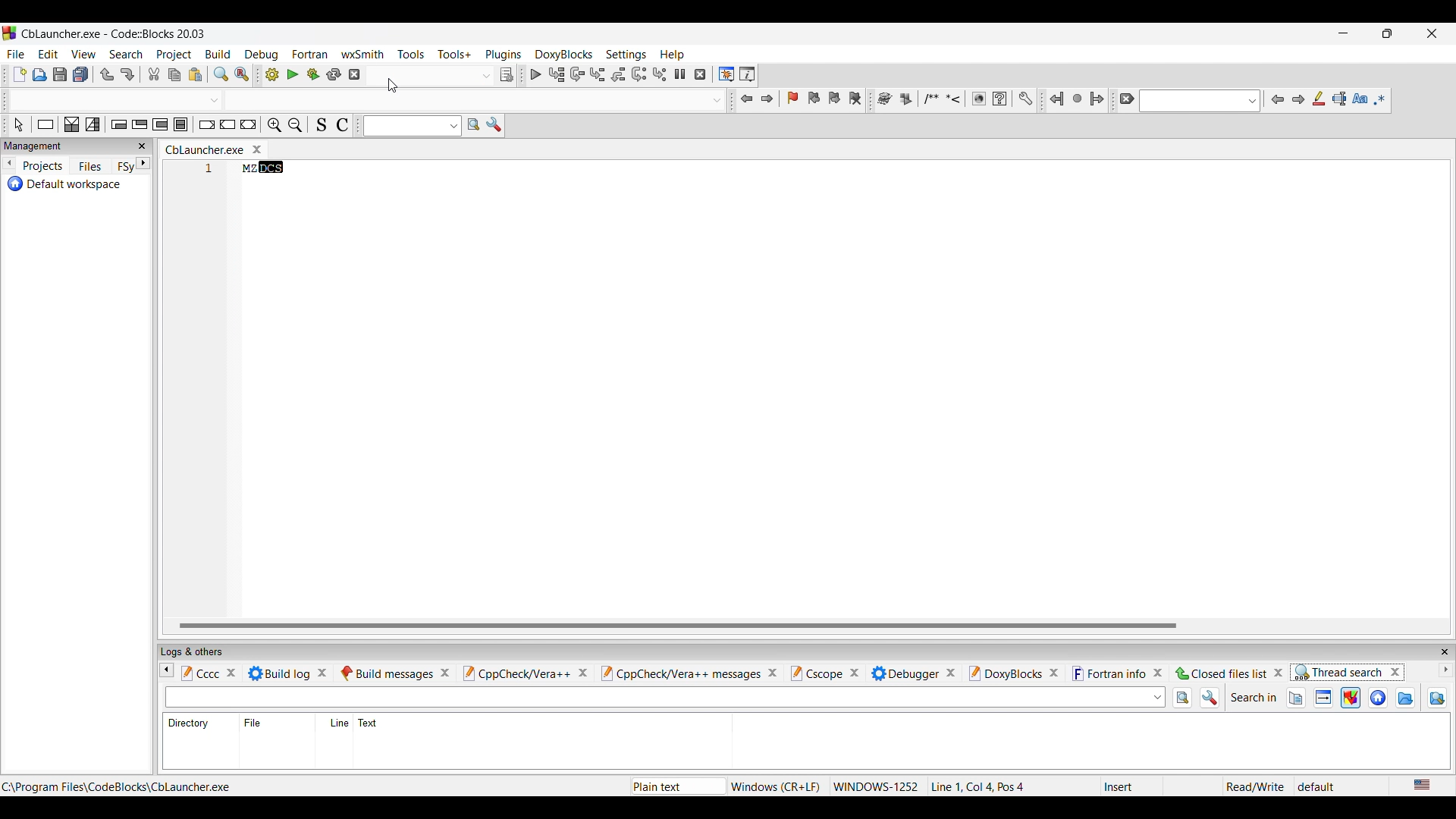 This screenshot has height=819, width=1456. I want to click on Toggle comments, so click(342, 124).